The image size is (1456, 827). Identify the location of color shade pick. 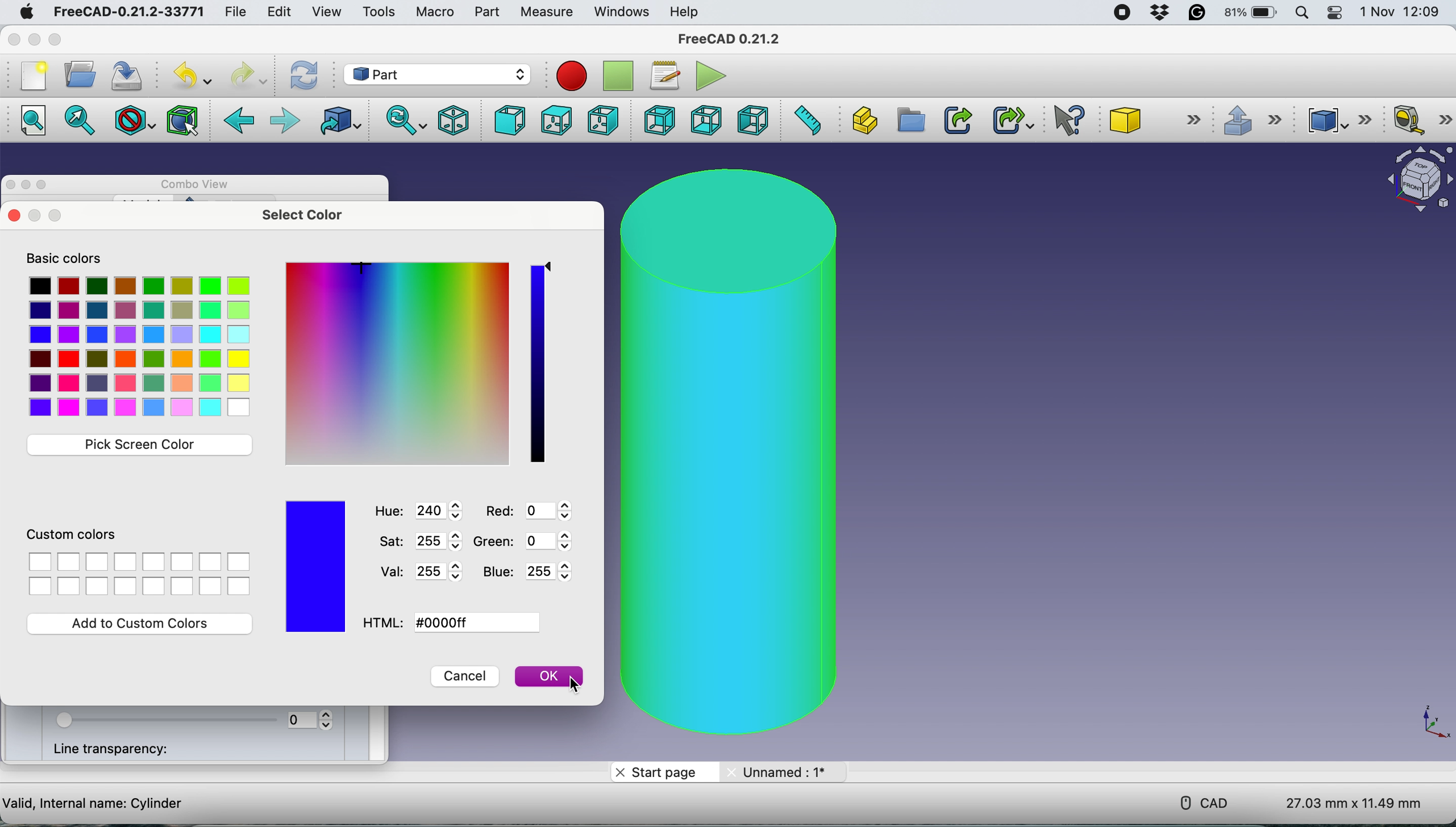
(538, 366).